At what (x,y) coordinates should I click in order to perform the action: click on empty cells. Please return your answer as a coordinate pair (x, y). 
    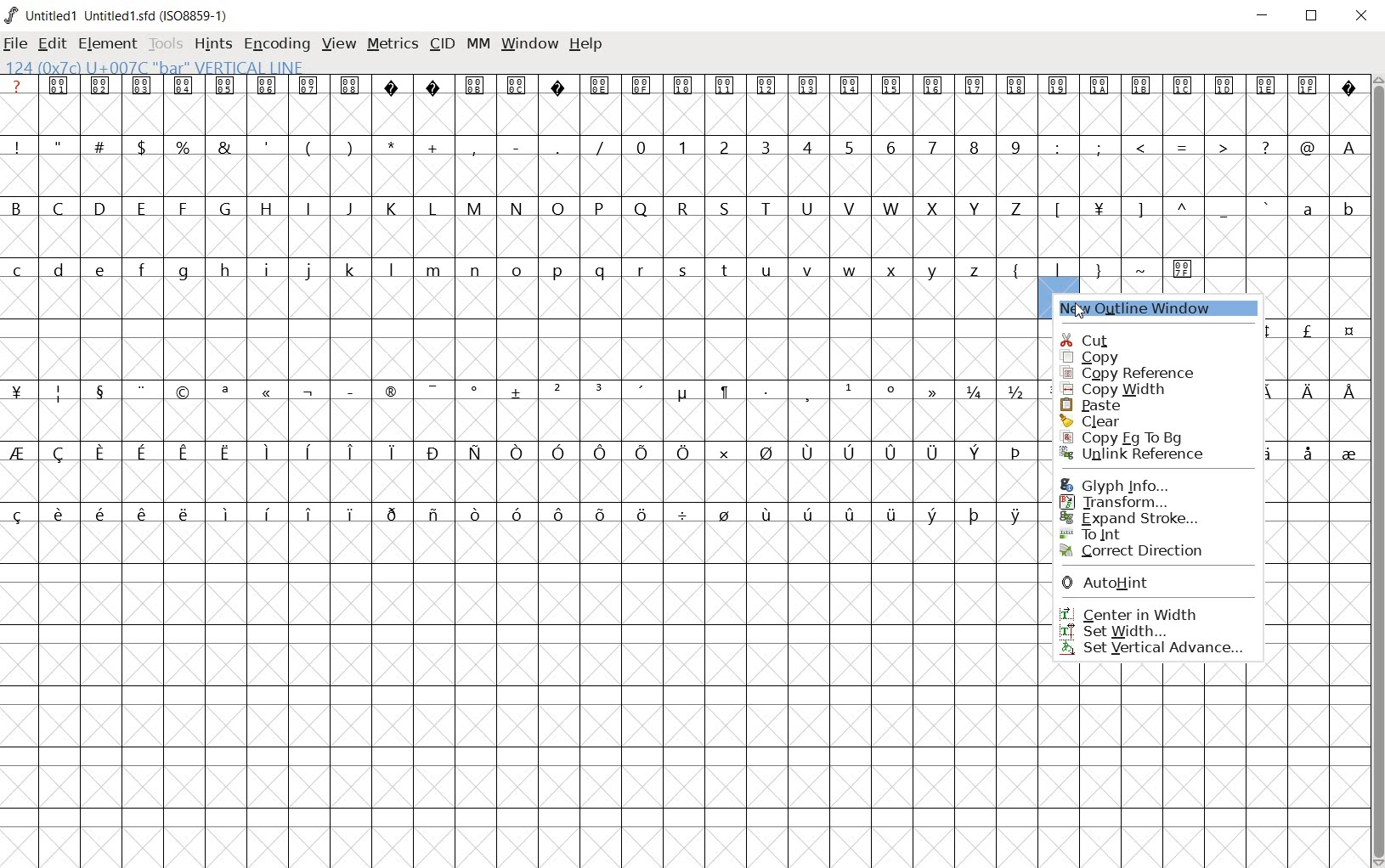
    Looking at the image, I should click on (1320, 543).